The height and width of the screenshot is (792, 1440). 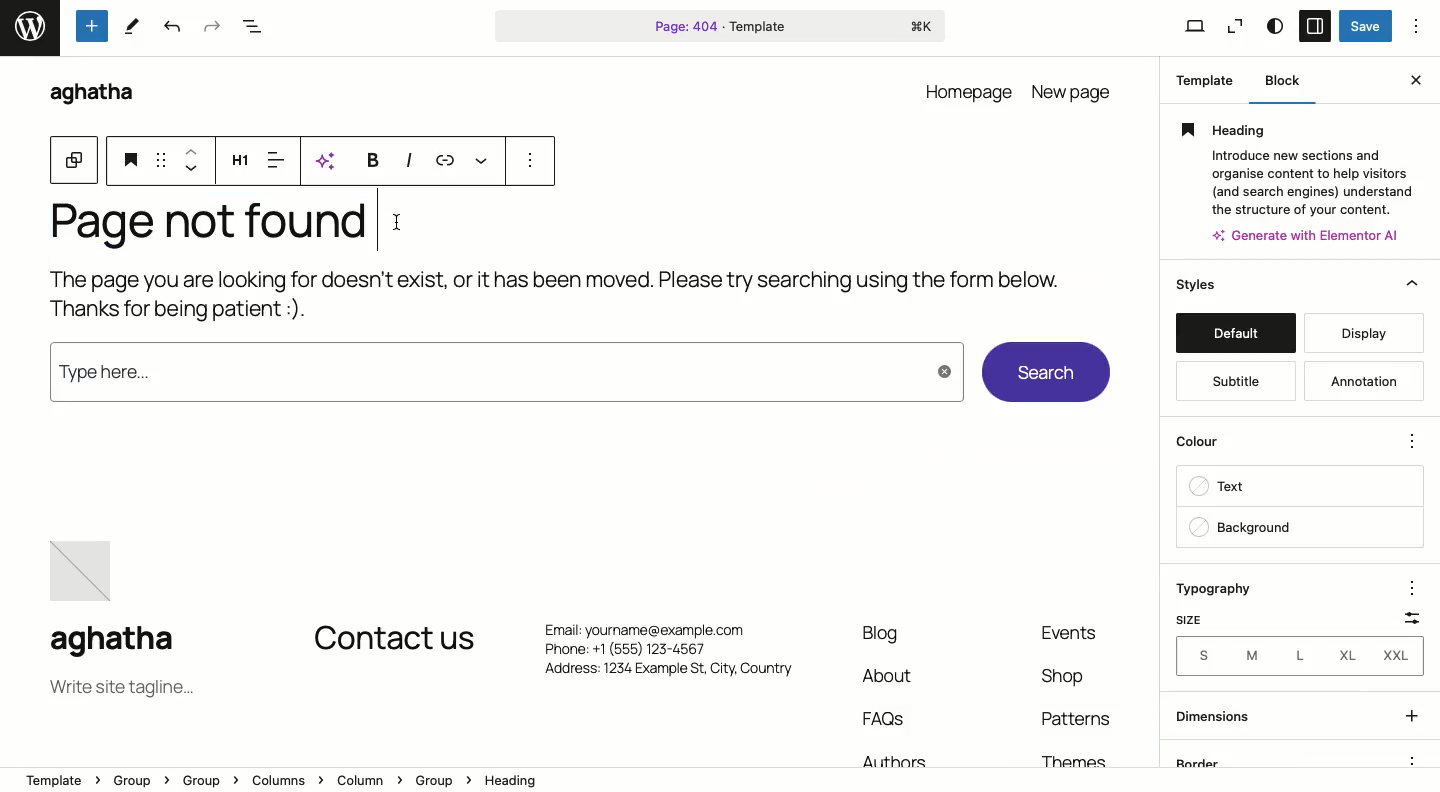 What do you see at coordinates (488, 161) in the screenshot?
I see `More` at bounding box center [488, 161].